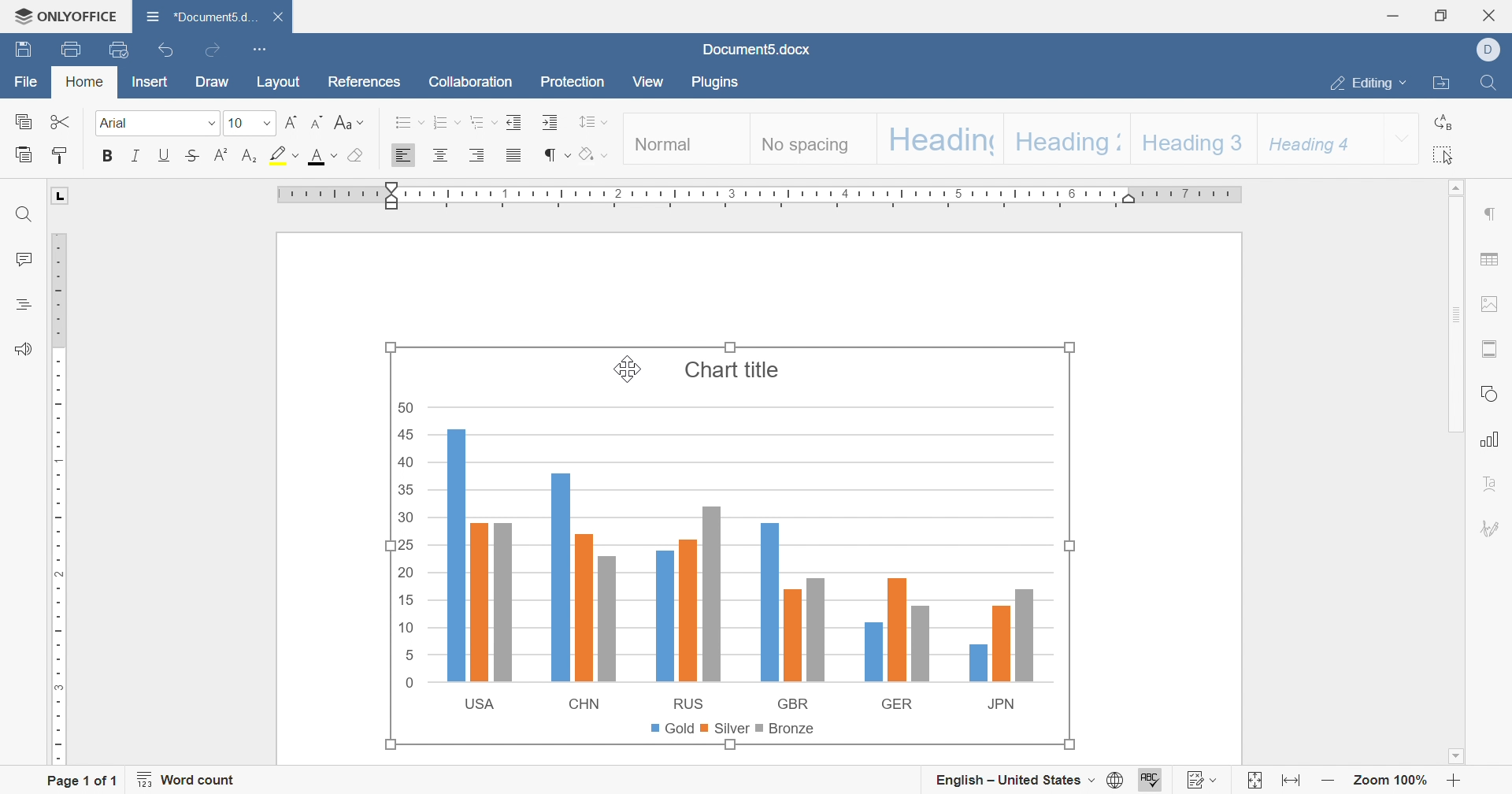 The height and width of the screenshot is (794, 1512). Describe the element at coordinates (109, 155) in the screenshot. I see `bold` at that location.